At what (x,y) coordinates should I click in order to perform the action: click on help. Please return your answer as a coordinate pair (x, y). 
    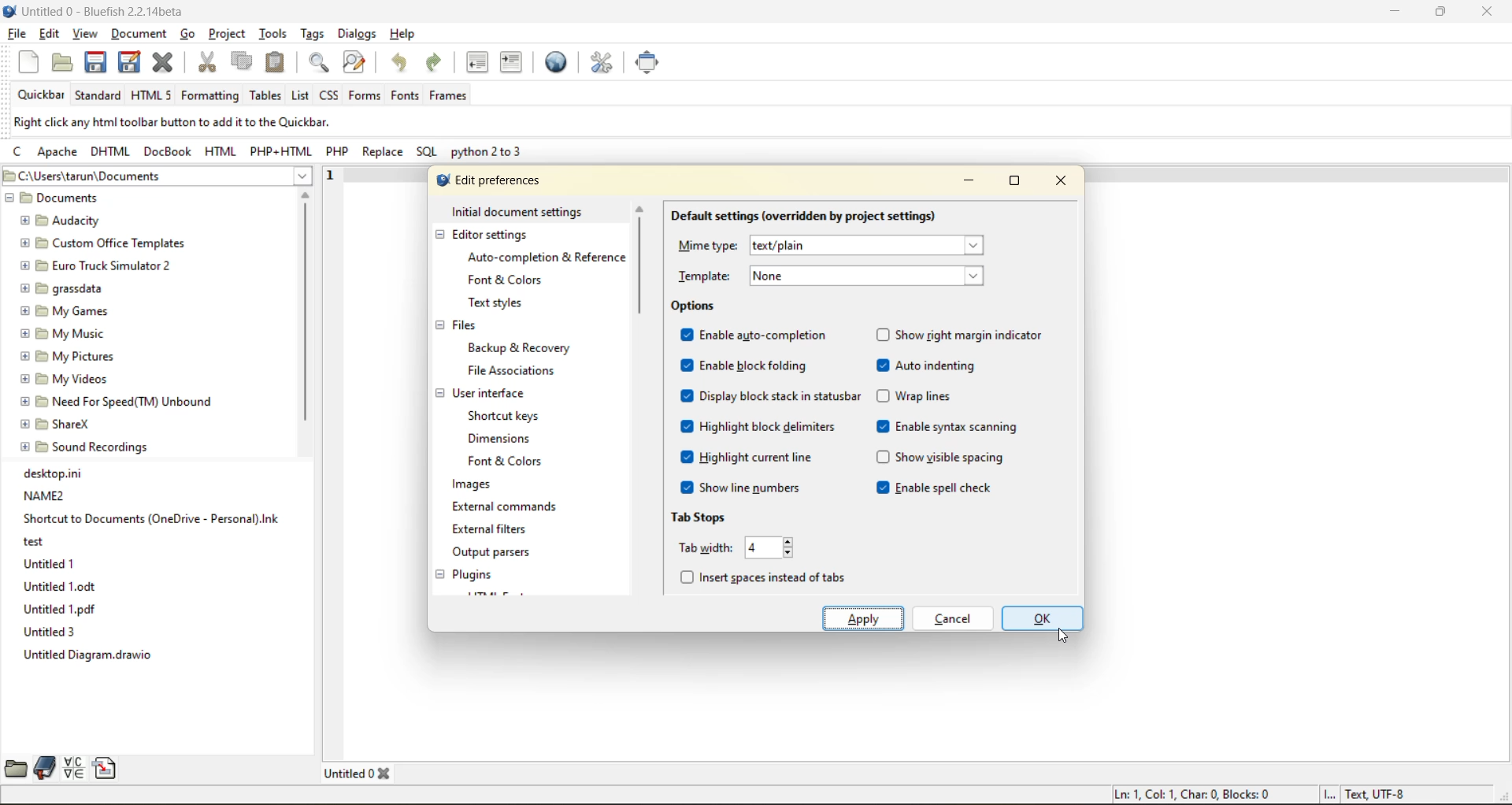
    Looking at the image, I should click on (402, 33).